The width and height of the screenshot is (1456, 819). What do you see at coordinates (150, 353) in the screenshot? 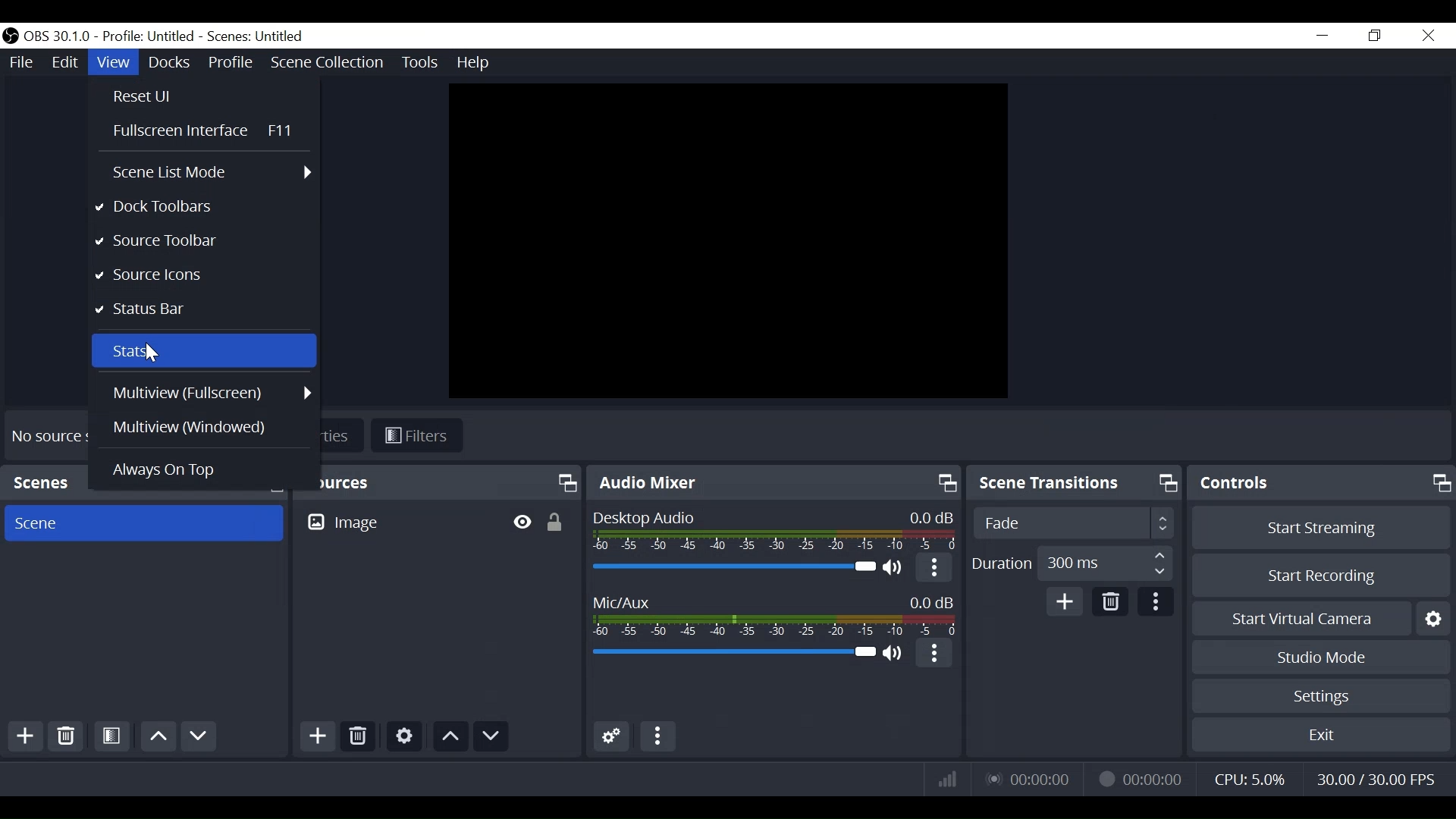
I see `Cursor` at bounding box center [150, 353].